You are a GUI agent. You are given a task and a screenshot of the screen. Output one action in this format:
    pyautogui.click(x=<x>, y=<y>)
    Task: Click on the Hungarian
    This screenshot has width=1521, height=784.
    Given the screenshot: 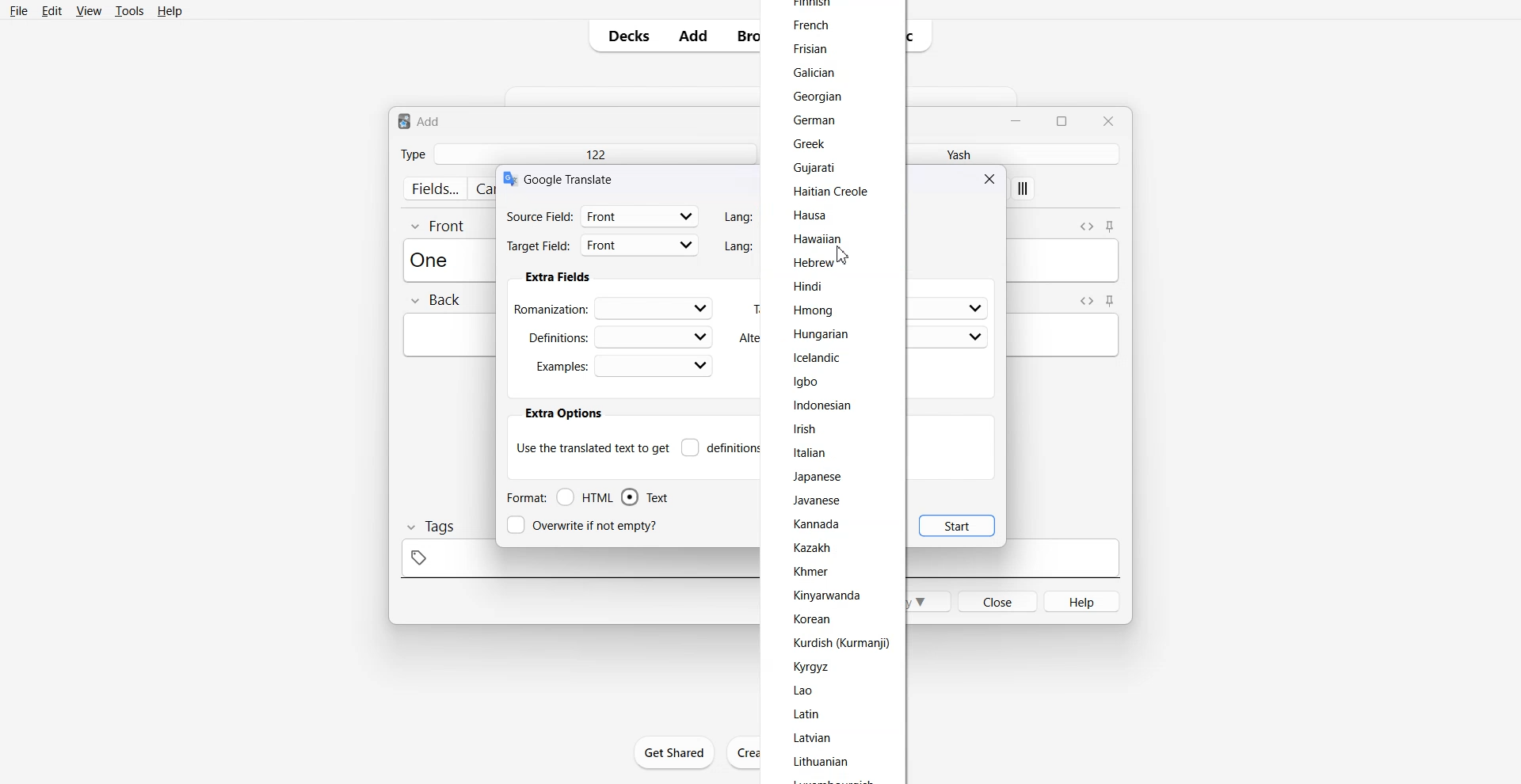 What is the action you would take?
    pyautogui.click(x=822, y=333)
    